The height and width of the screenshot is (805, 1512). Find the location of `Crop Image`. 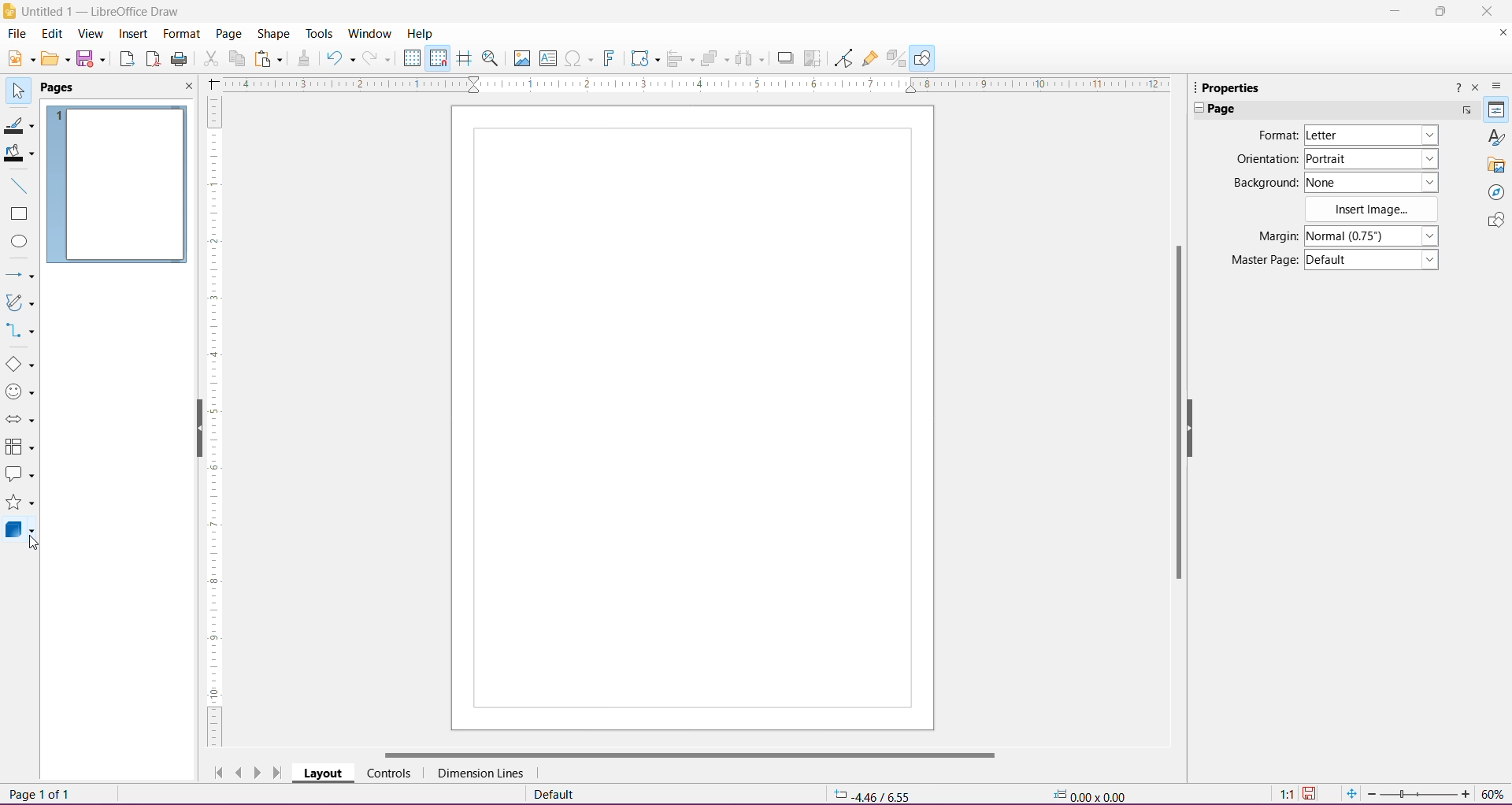

Crop Image is located at coordinates (813, 58).